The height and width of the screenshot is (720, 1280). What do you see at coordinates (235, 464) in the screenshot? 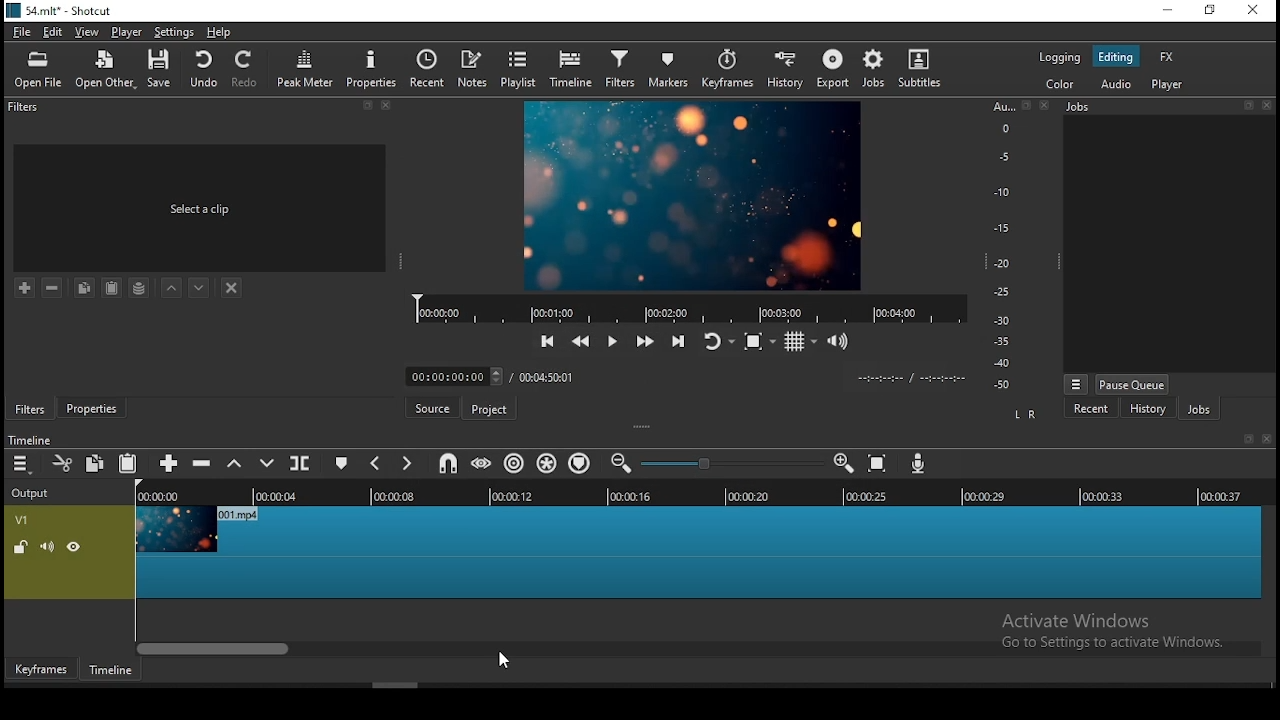
I see `lift` at bounding box center [235, 464].